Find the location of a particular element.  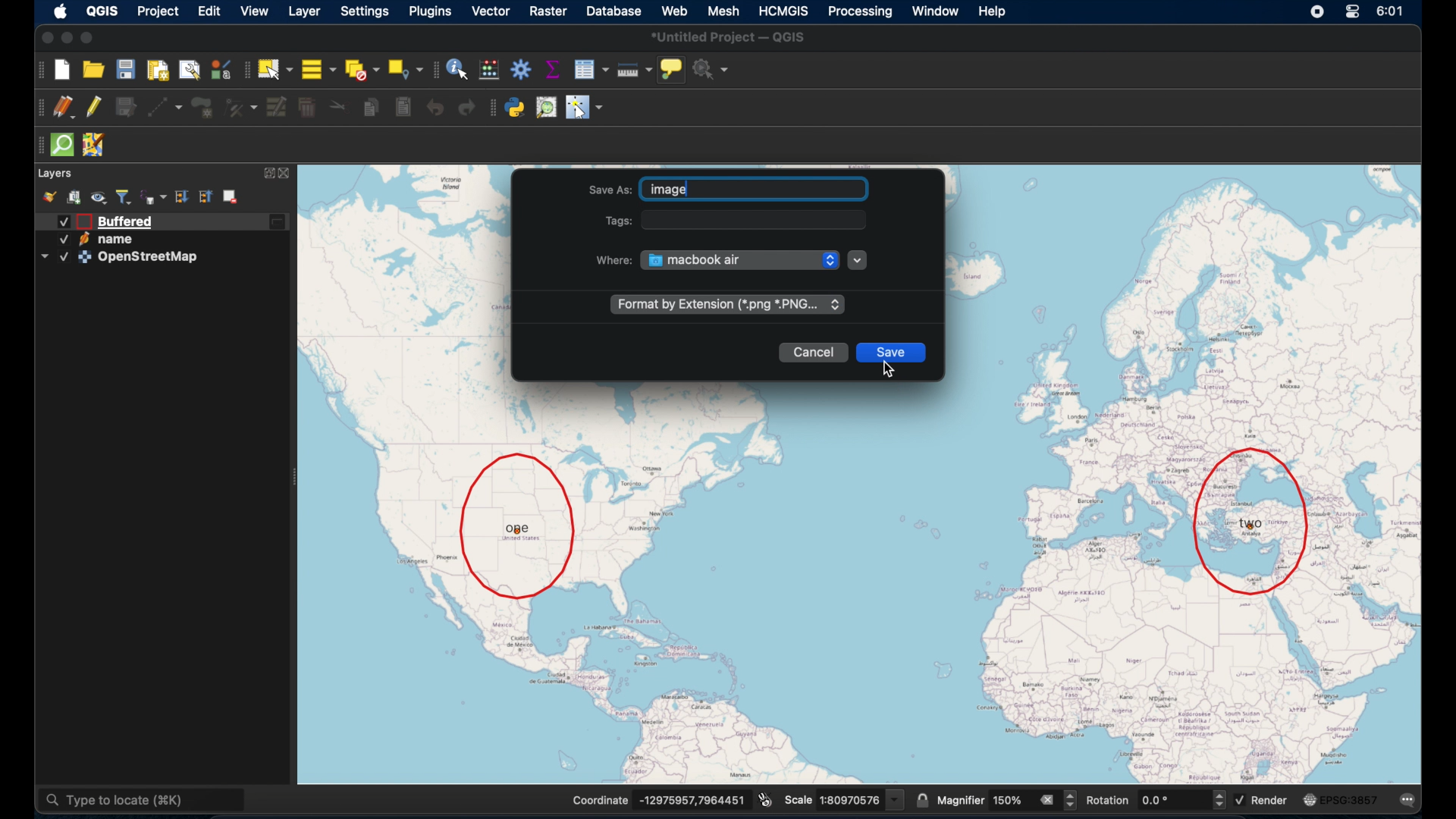

typed "image" in save as name input field is located at coordinates (756, 191).